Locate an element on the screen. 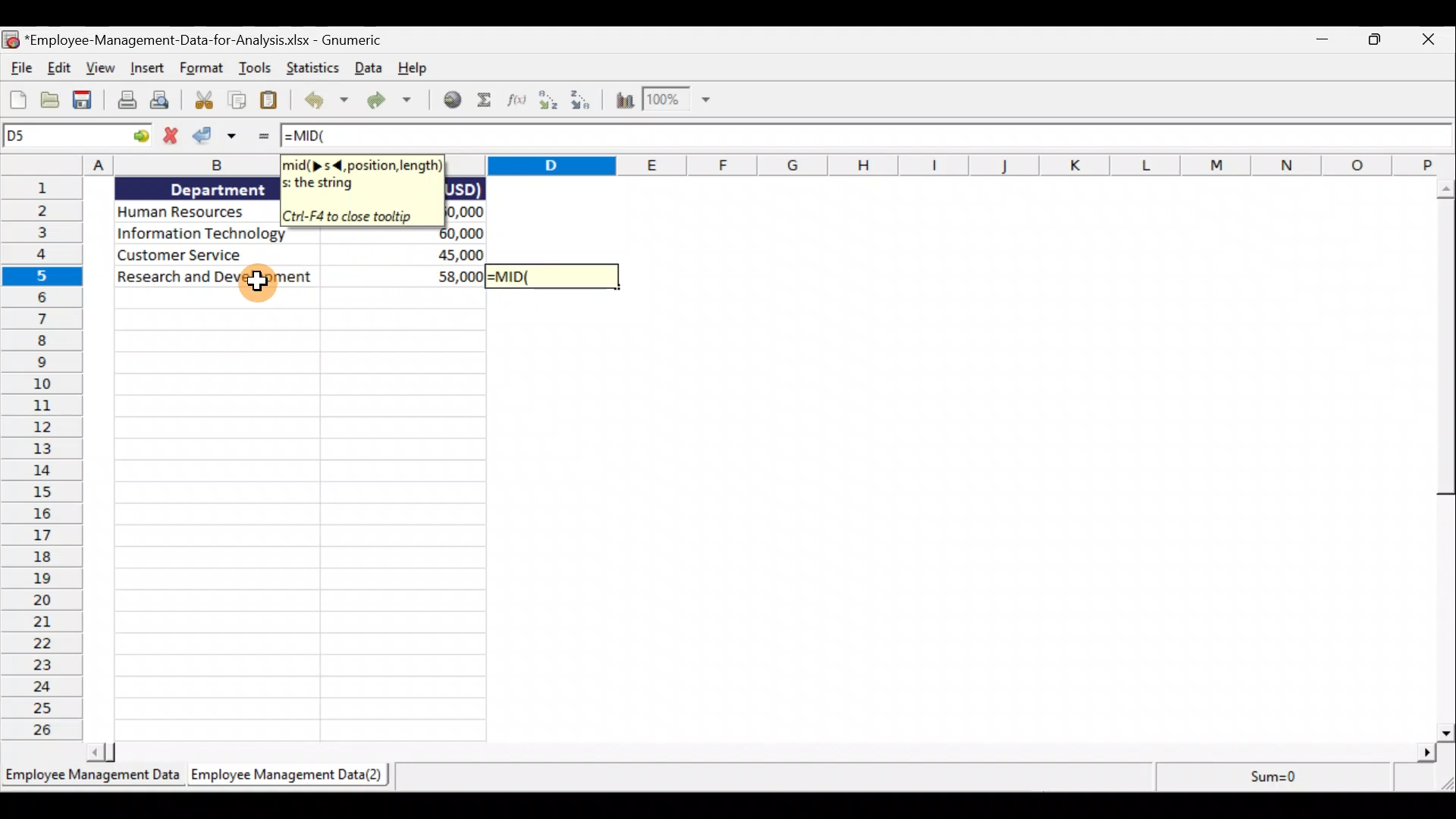 This screenshot has height=819, width=1456. Document name is located at coordinates (196, 37).